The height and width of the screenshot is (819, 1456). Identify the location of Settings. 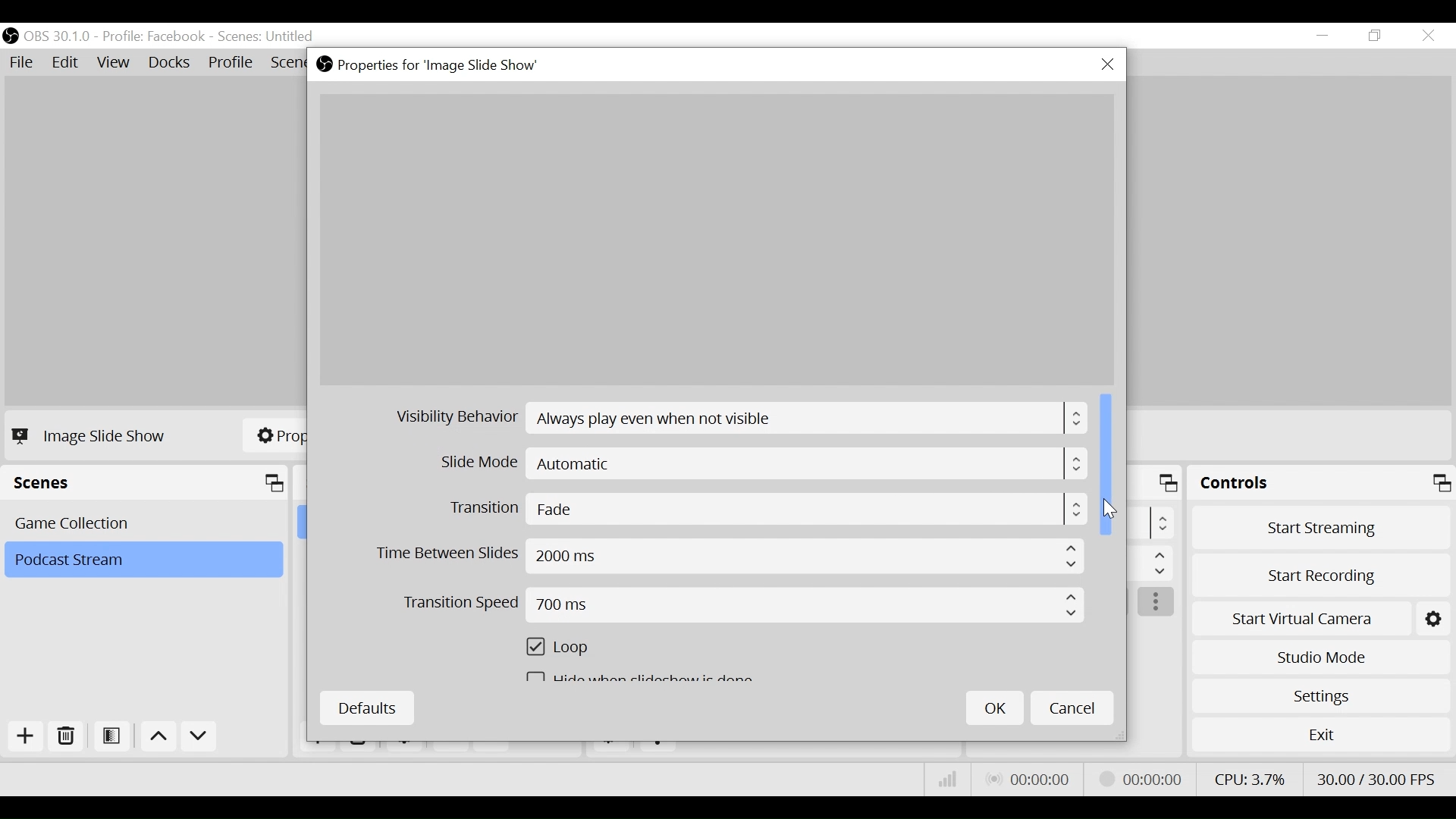
(1320, 695).